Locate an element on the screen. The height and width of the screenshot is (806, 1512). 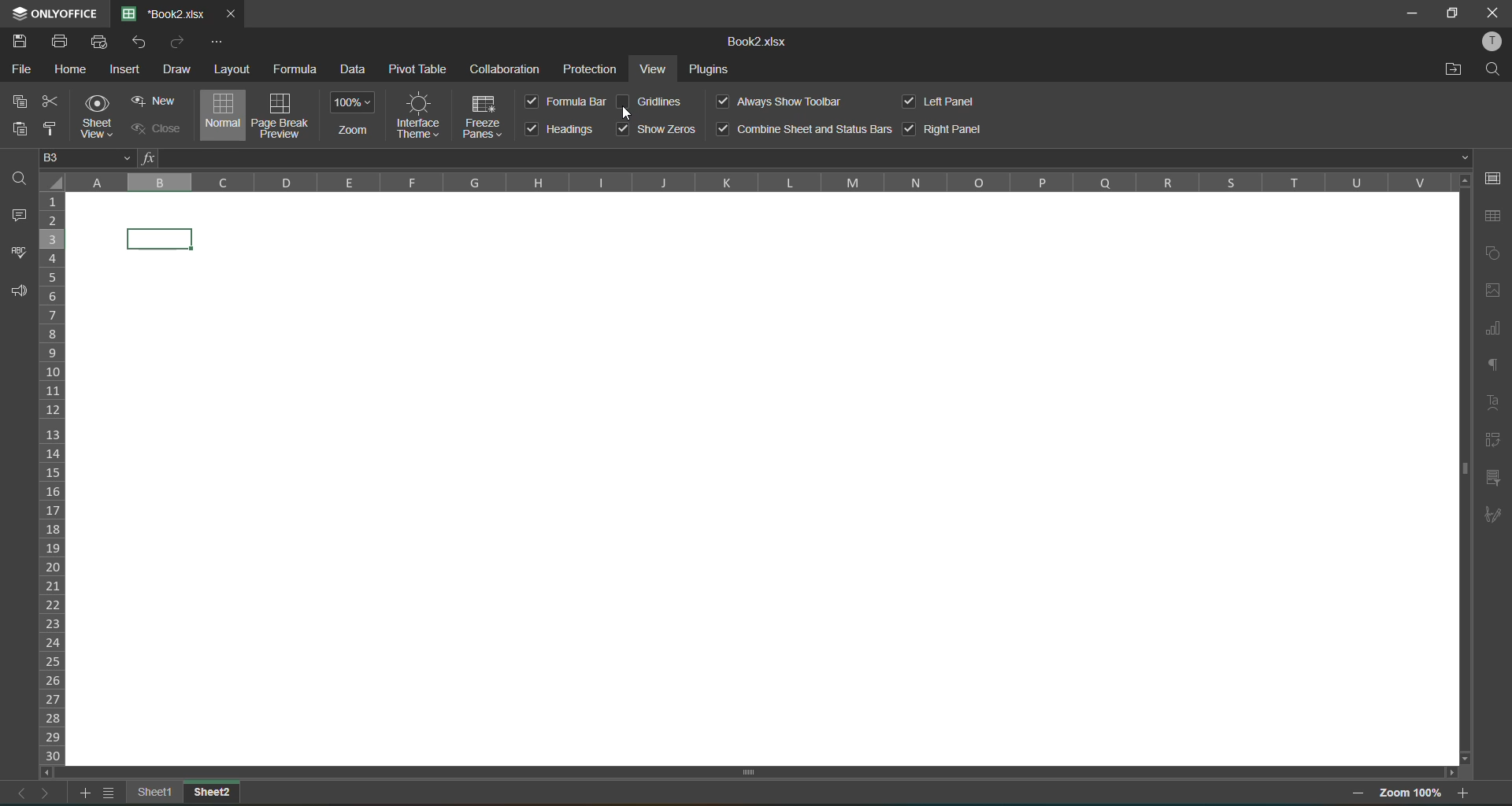
images is located at coordinates (1492, 292).